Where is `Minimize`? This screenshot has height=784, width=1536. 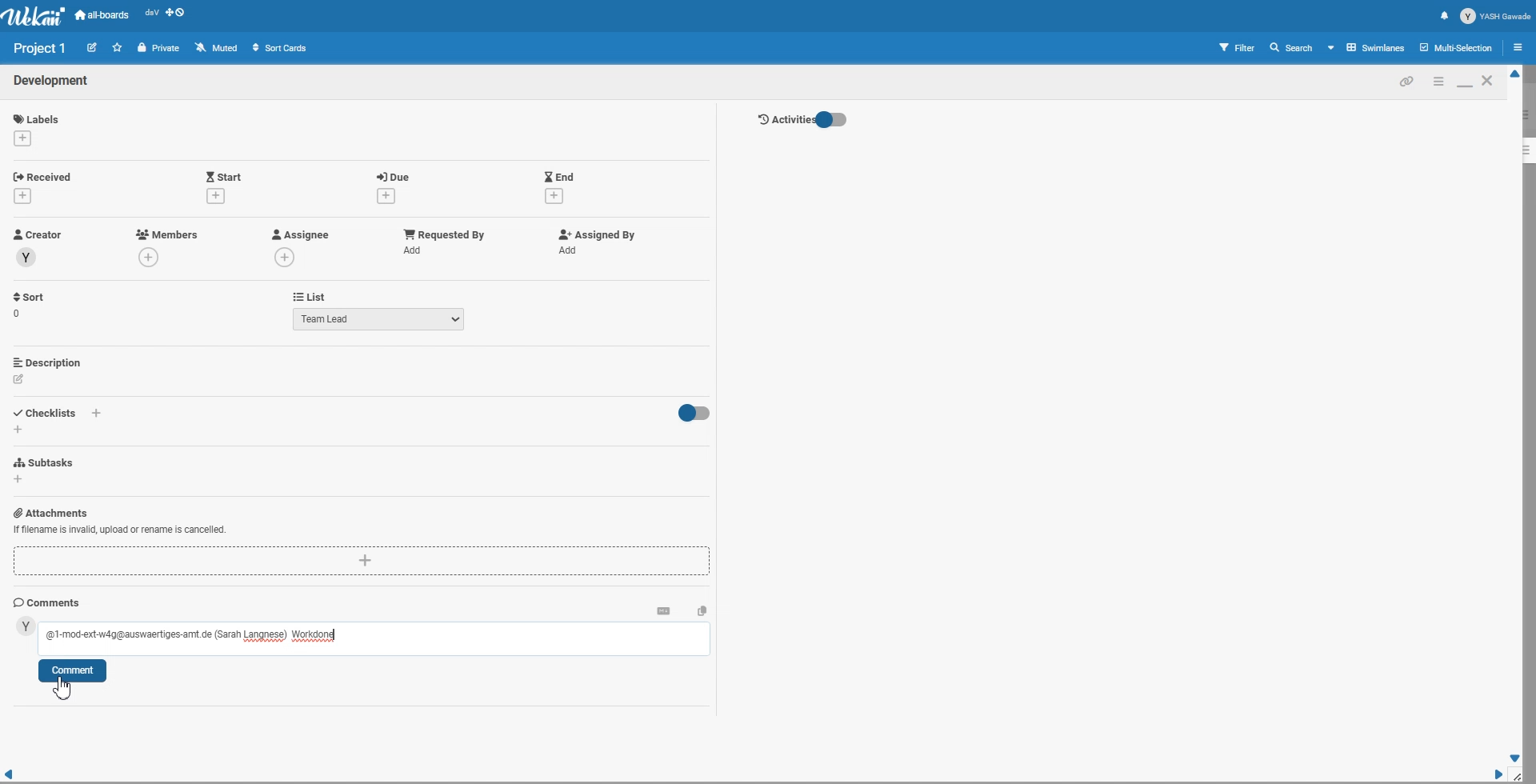
Minimize is located at coordinates (1438, 81).